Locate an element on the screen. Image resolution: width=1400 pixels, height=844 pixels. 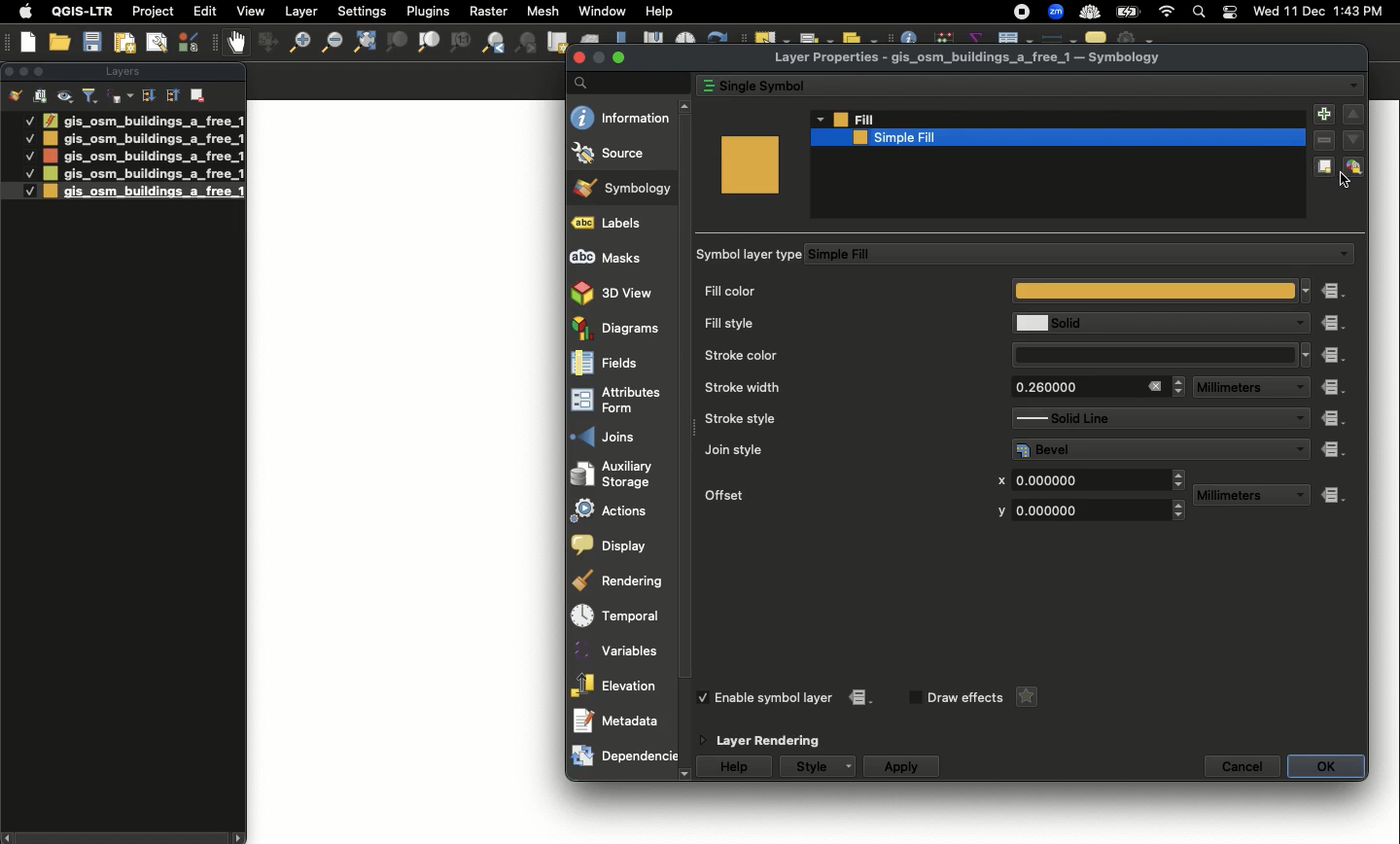
11 Dec is located at coordinates (1306, 14).